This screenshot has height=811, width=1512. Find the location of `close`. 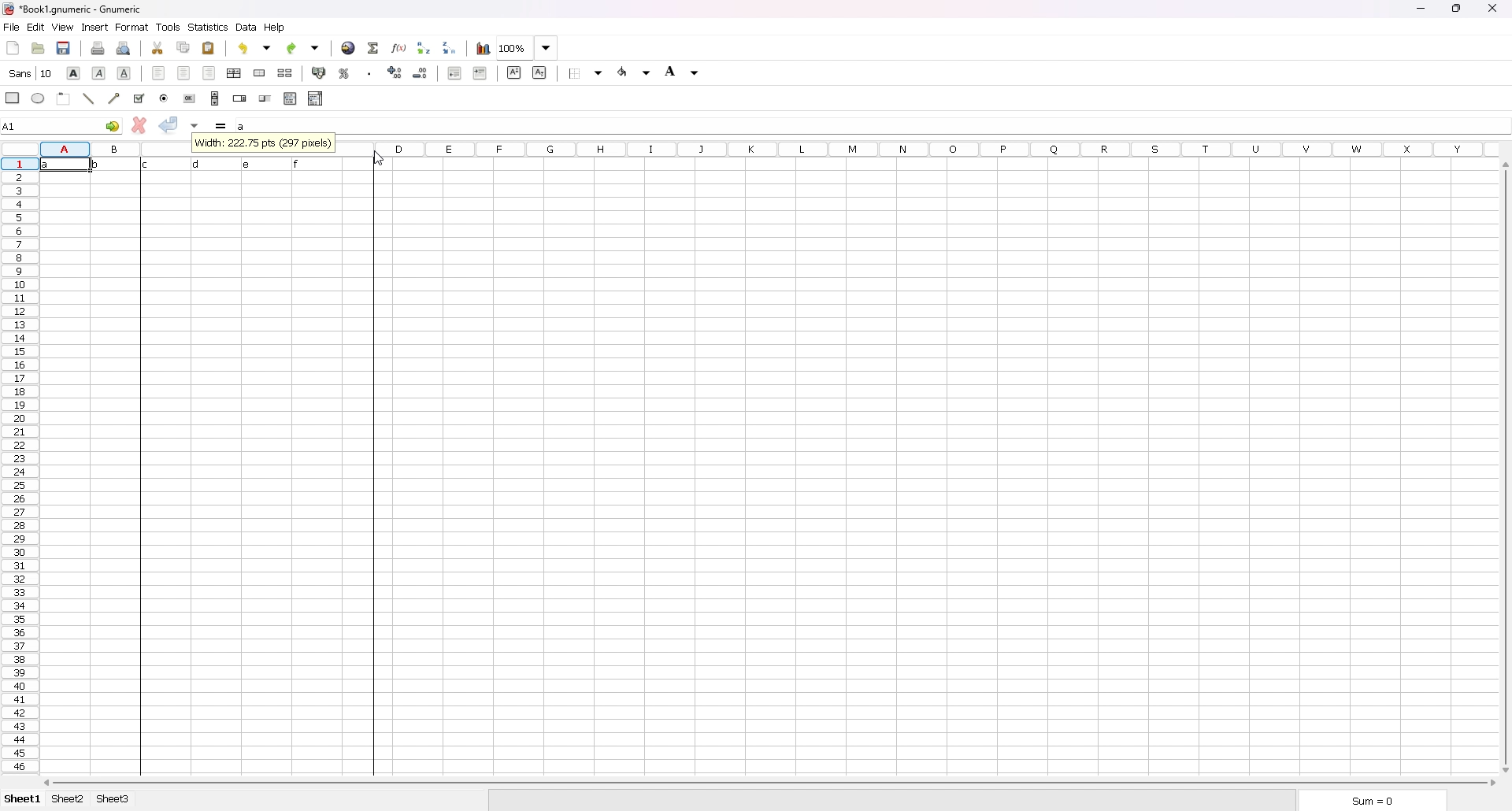

close is located at coordinates (1492, 8).